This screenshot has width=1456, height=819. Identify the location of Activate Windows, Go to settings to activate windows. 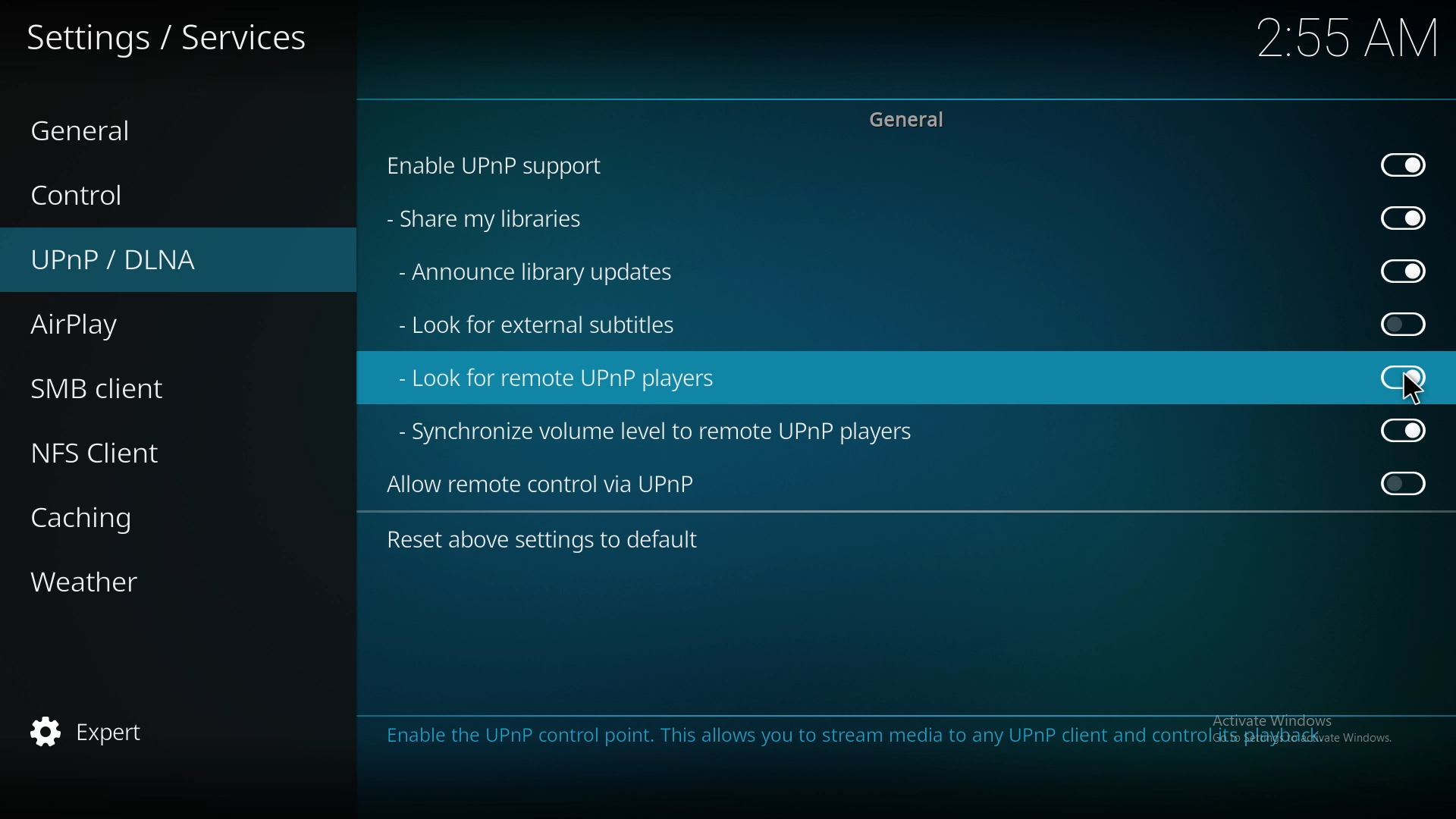
(1299, 730).